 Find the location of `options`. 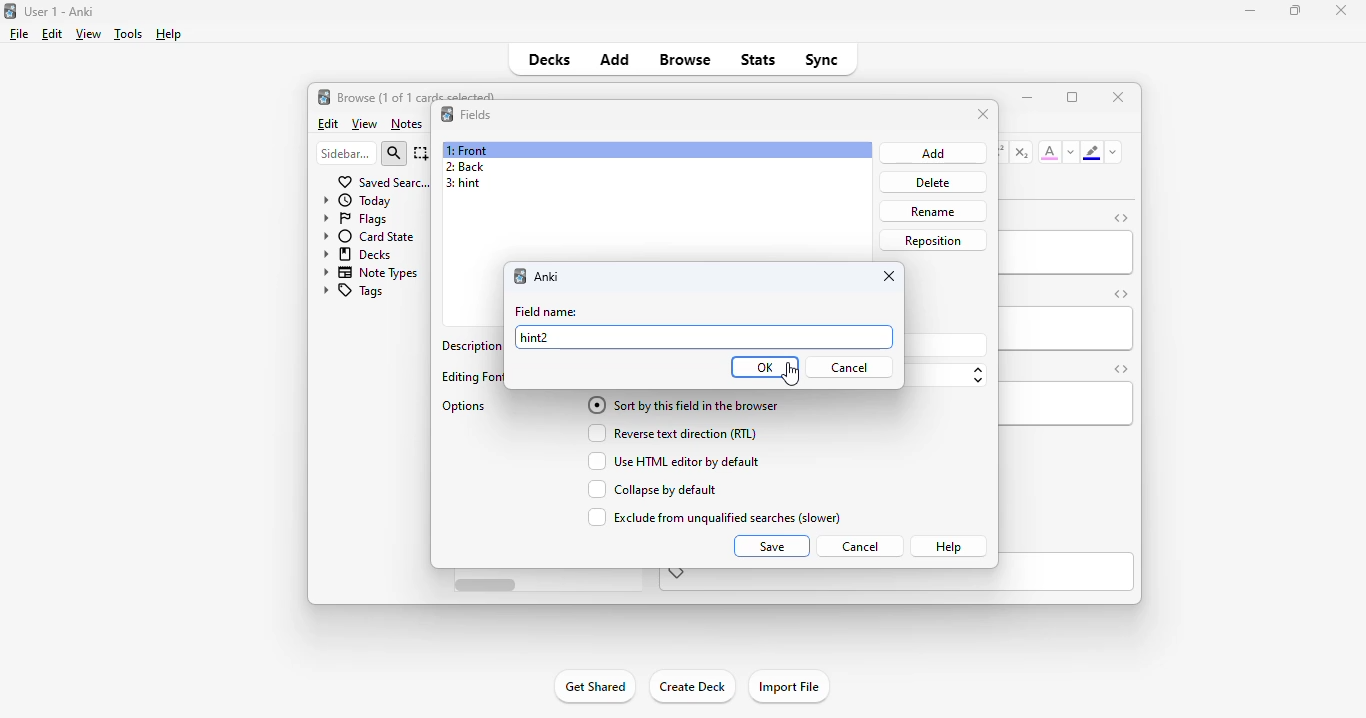

options is located at coordinates (466, 407).